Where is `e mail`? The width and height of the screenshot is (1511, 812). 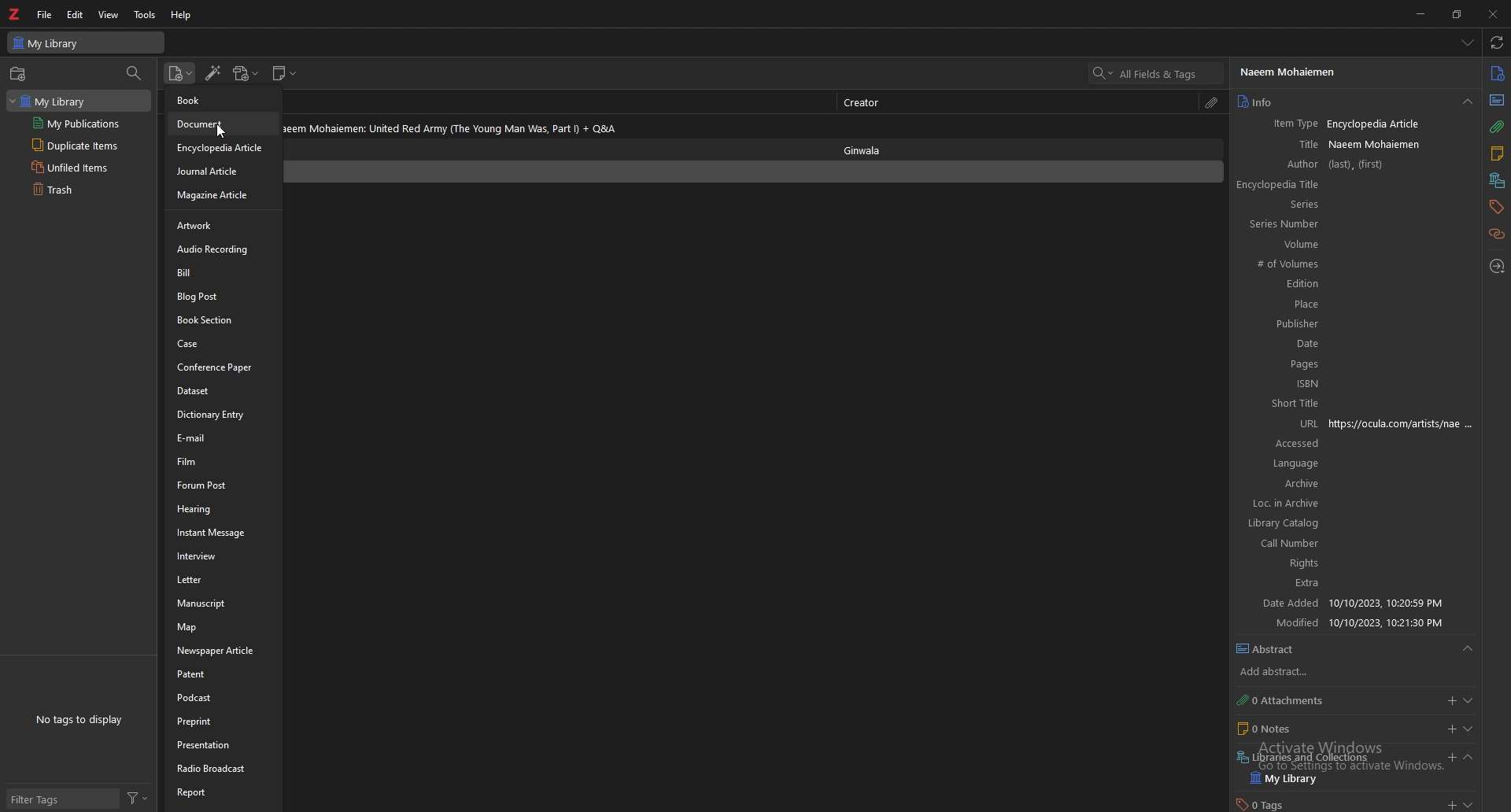 e mail is located at coordinates (224, 437).